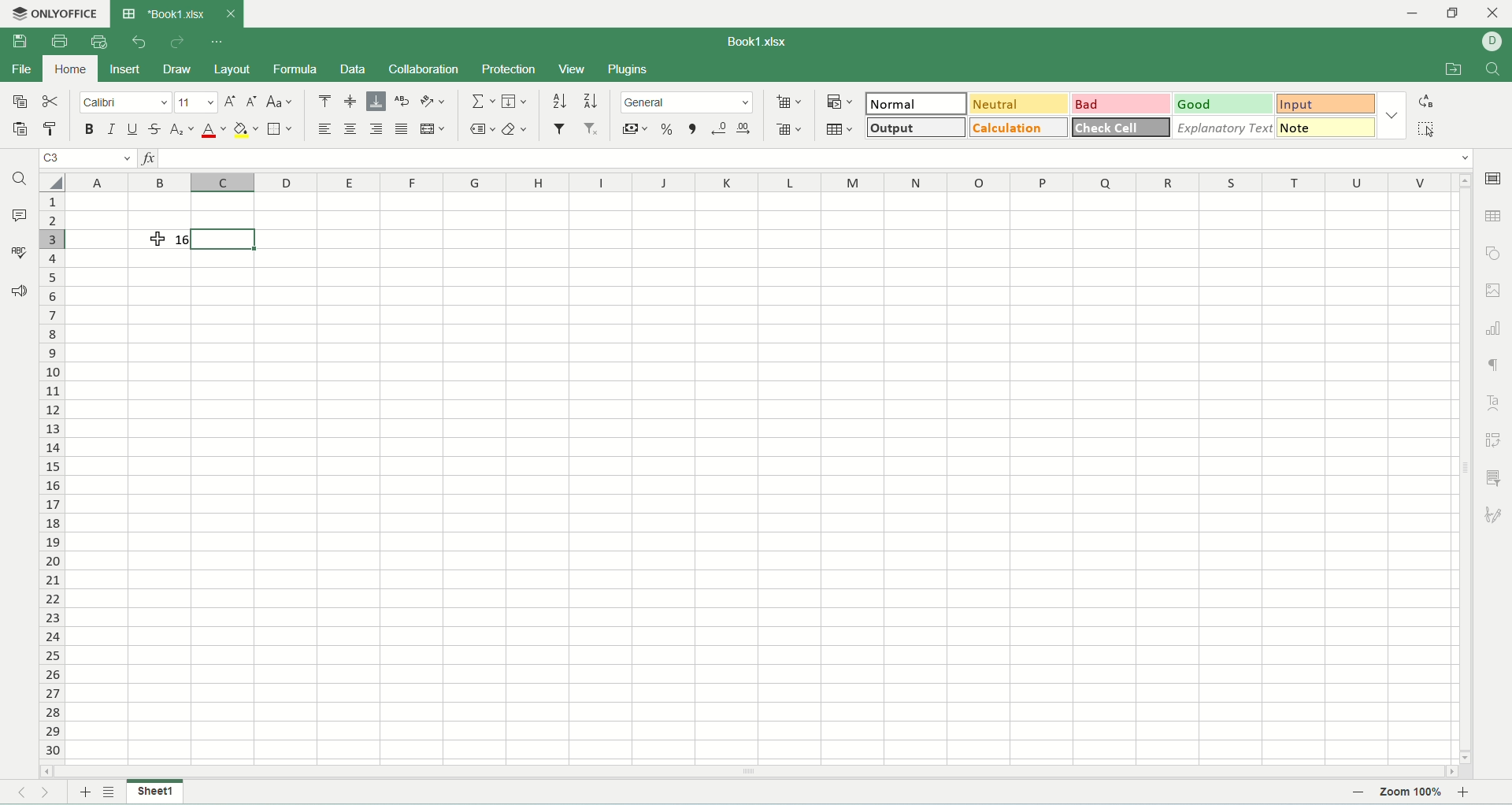  I want to click on open file location, so click(1455, 71).